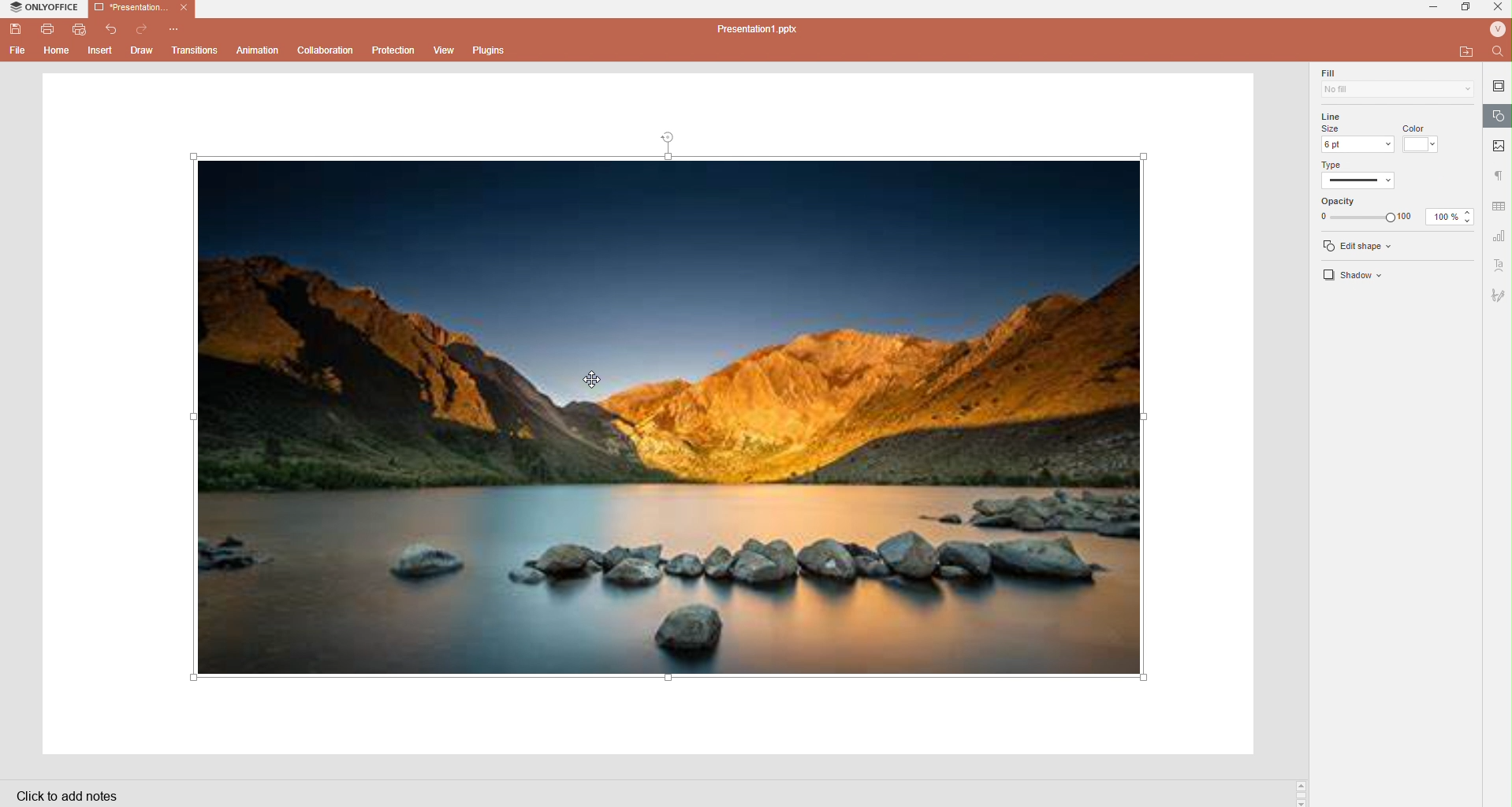 This screenshot has width=1512, height=807. Describe the element at coordinates (1471, 225) in the screenshot. I see `Decrease opacity %` at that location.